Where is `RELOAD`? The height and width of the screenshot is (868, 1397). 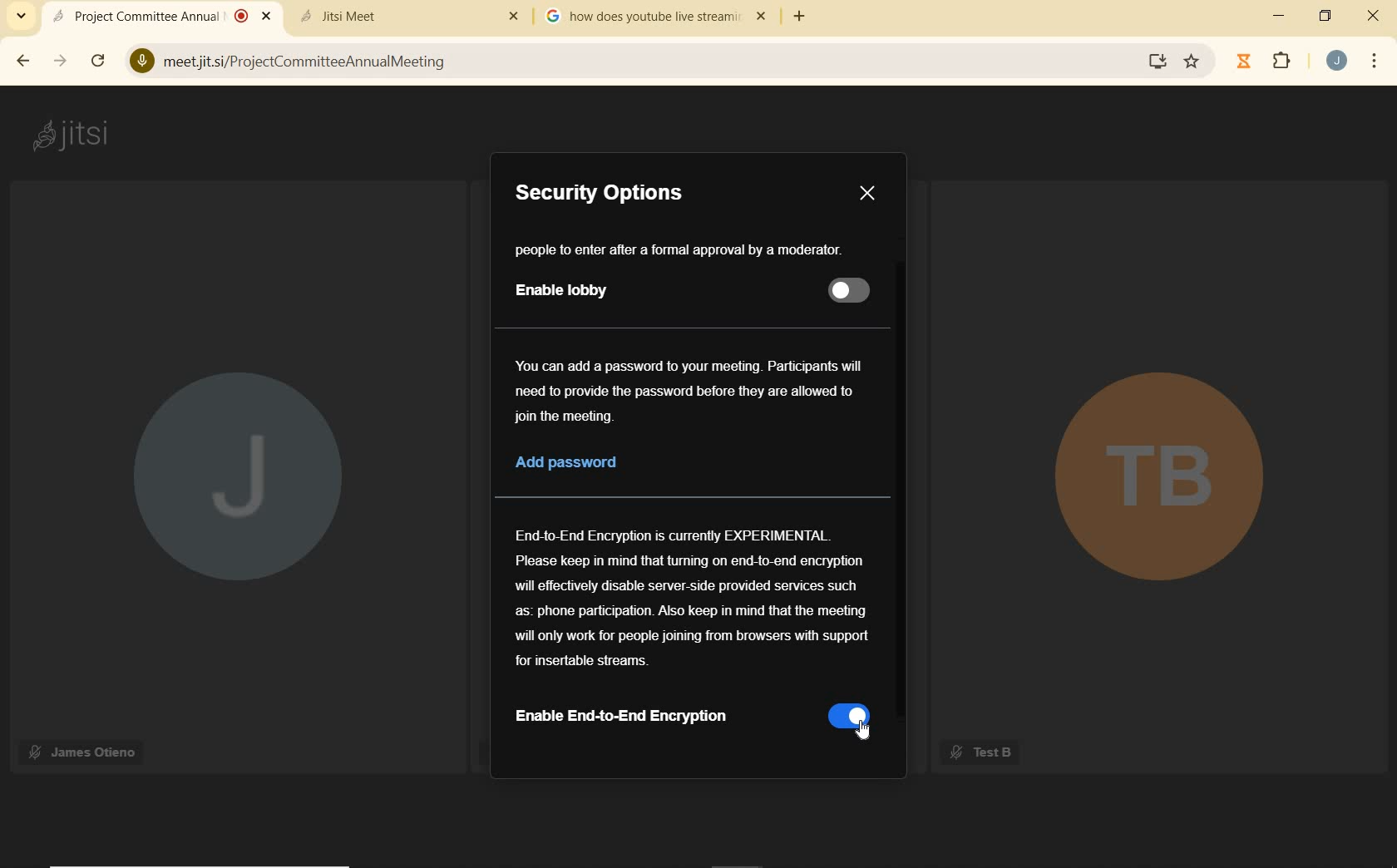
RELOAD is located at coordinates (98, 60).